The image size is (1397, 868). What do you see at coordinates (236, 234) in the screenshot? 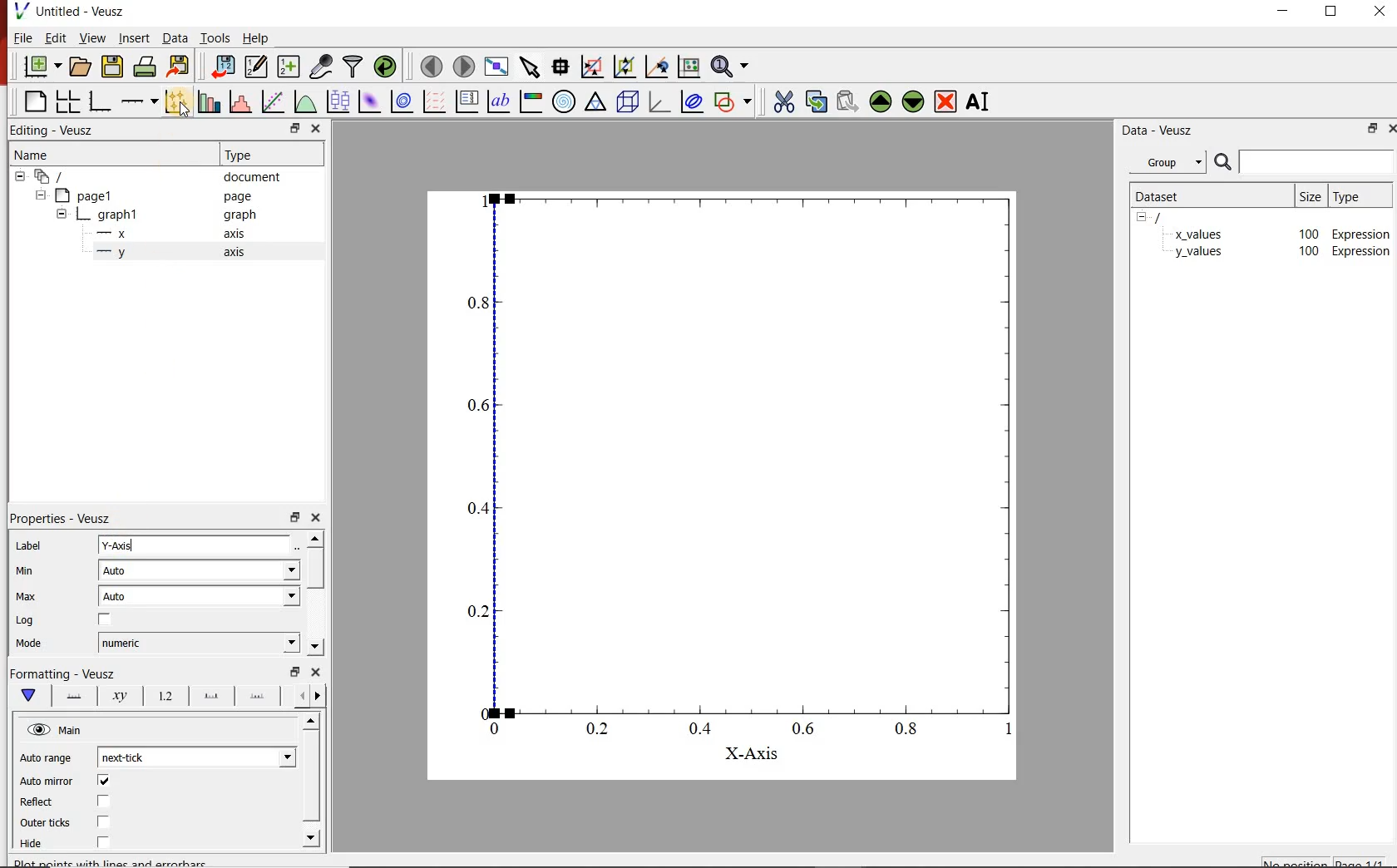
I see `axis` at bounding box center [236, 234].